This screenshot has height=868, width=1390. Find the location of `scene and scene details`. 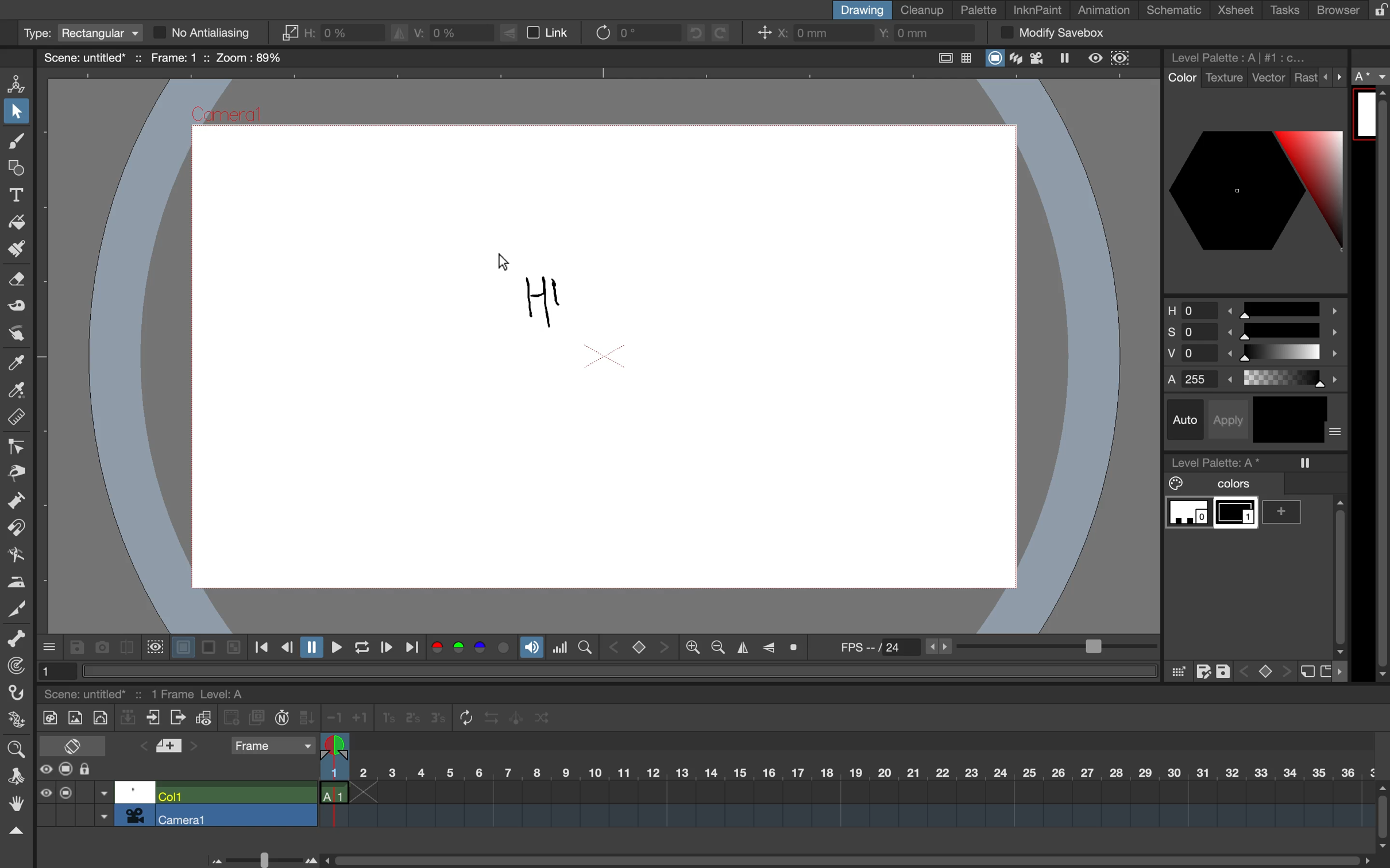

scene and scene details is located at coordinates (159, 692).